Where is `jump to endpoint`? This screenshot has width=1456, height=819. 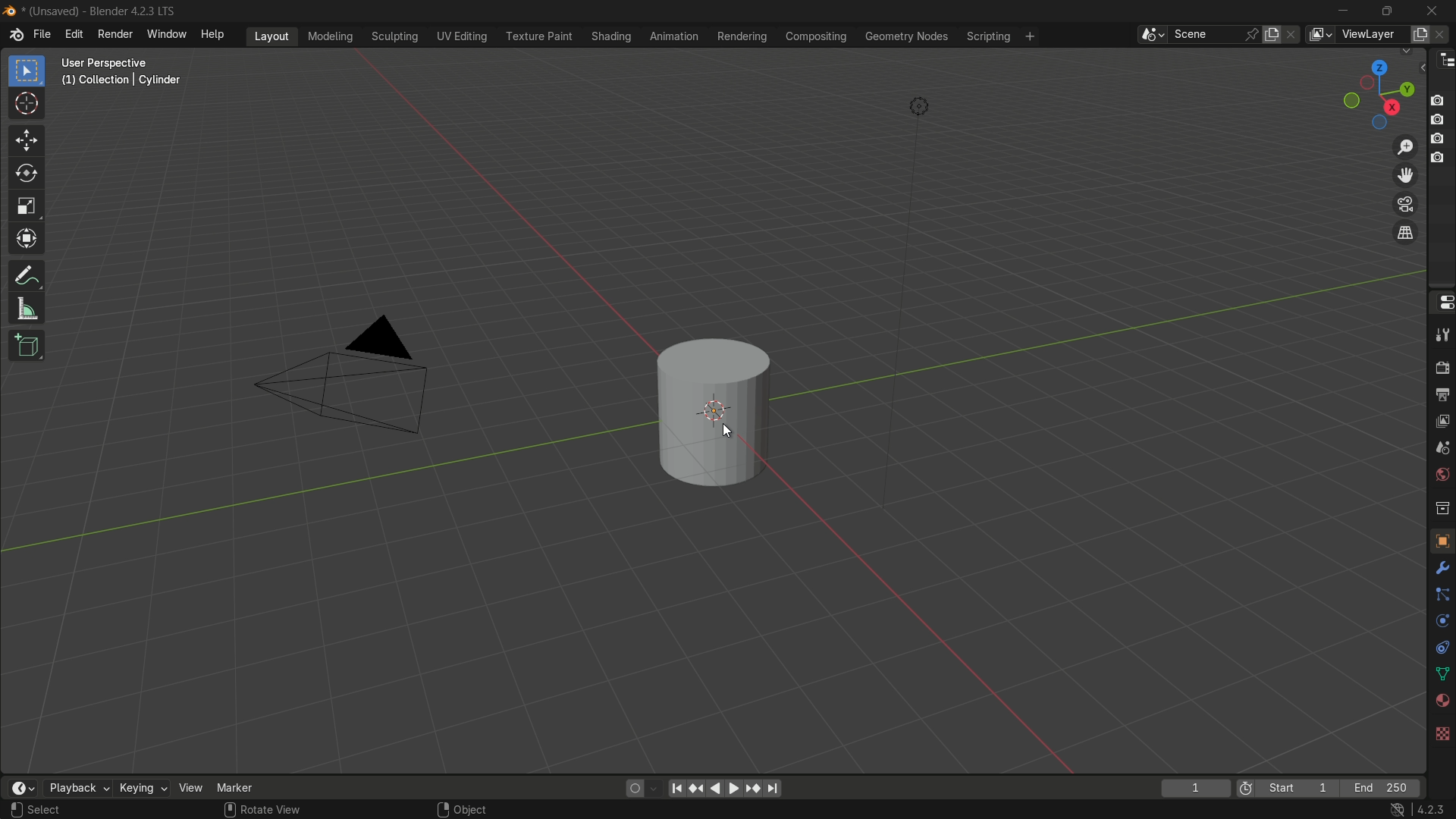
jump to endpoint is located at coordinates (676, 788).